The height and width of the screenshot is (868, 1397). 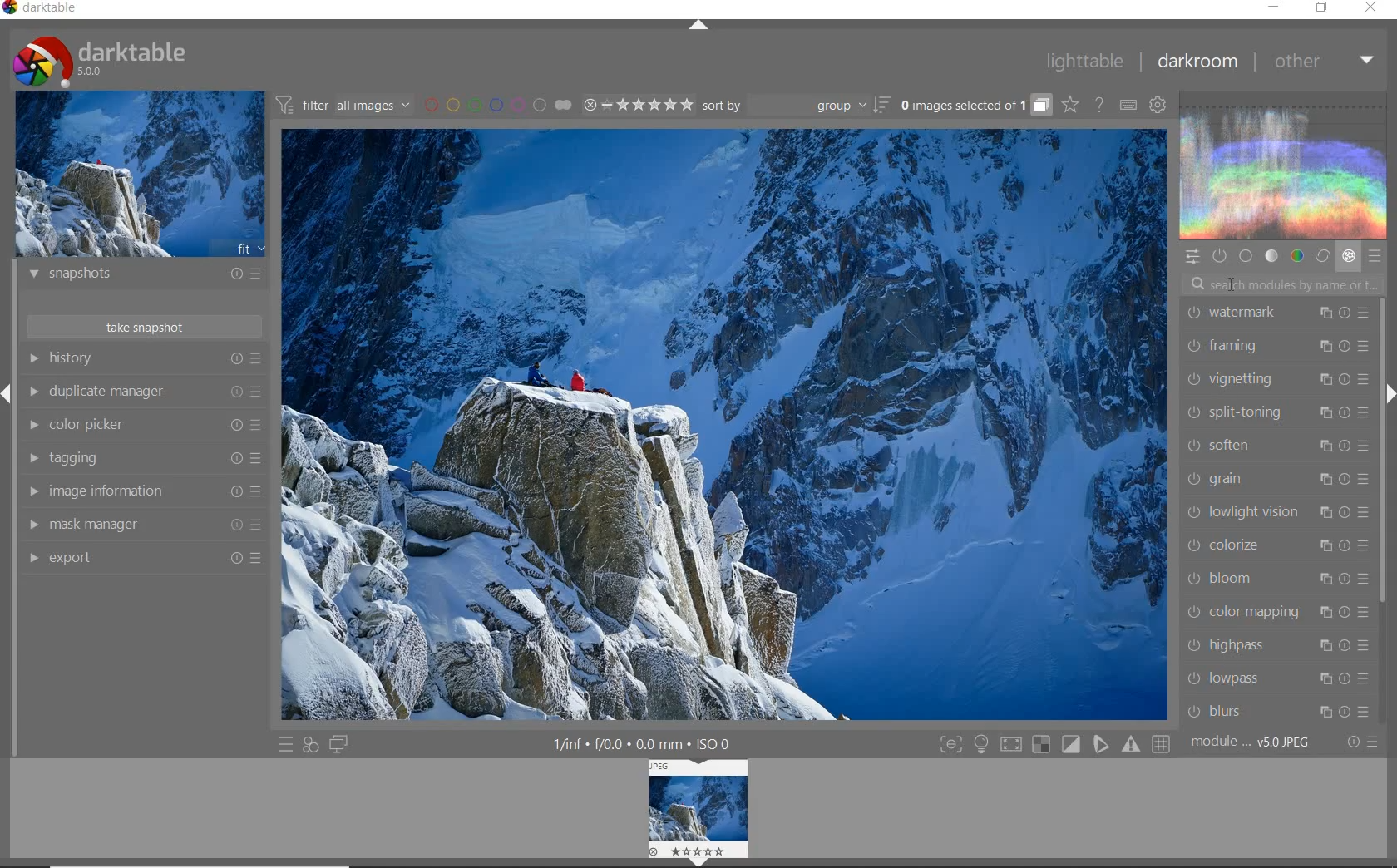 What do you see at coordinates (1271, 255) in the screenshot?
I see `tone` at bounding box center [1271, 255].